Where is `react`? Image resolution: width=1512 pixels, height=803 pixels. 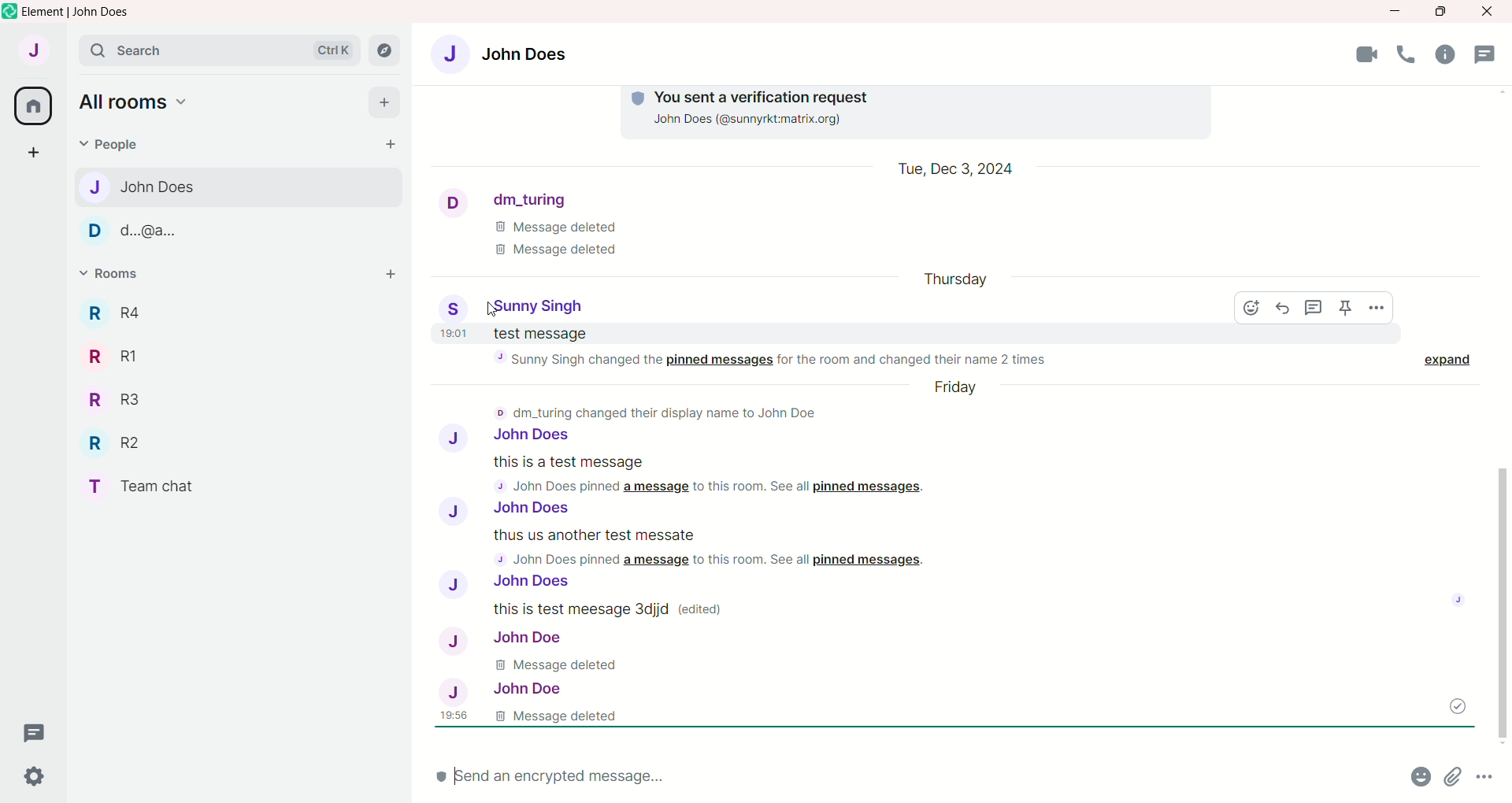
react is located at coordinates (1251, 309).